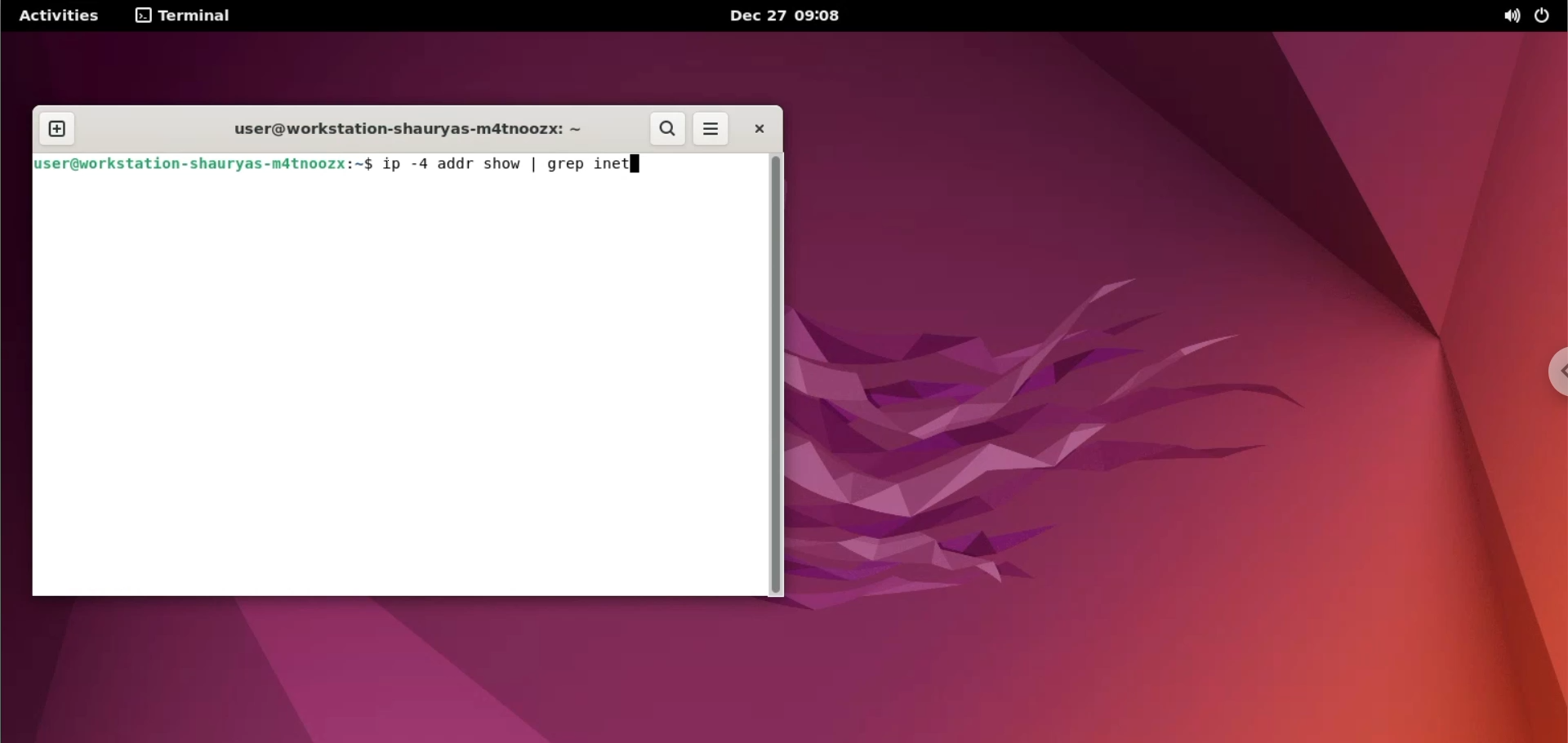 This screenshot has height=743, width=1568. What do you see at coordinates (1546, 15) in the screenshot?
I see `power options` at bounding box center [1546, 15].